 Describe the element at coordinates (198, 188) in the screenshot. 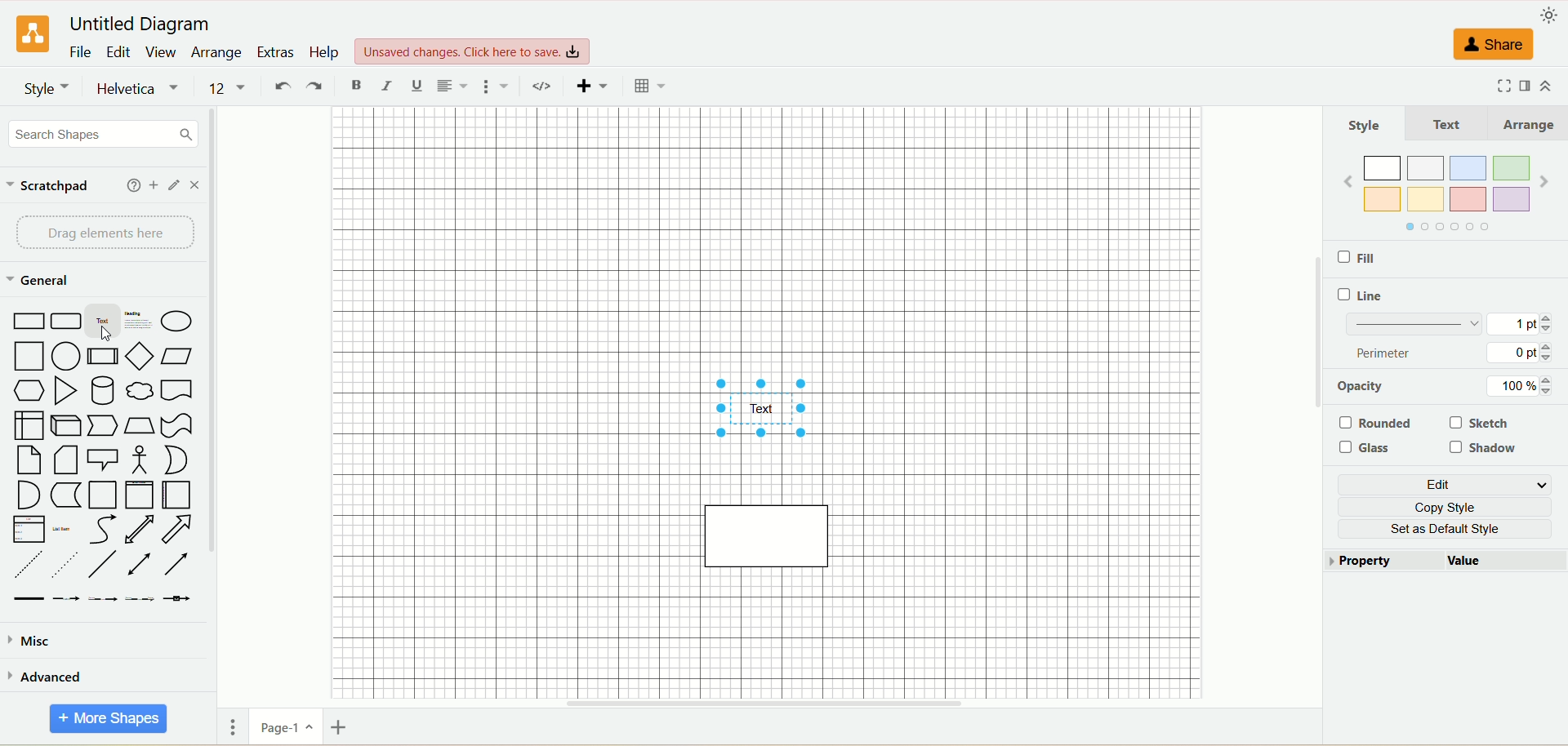

I see `close` at that location.